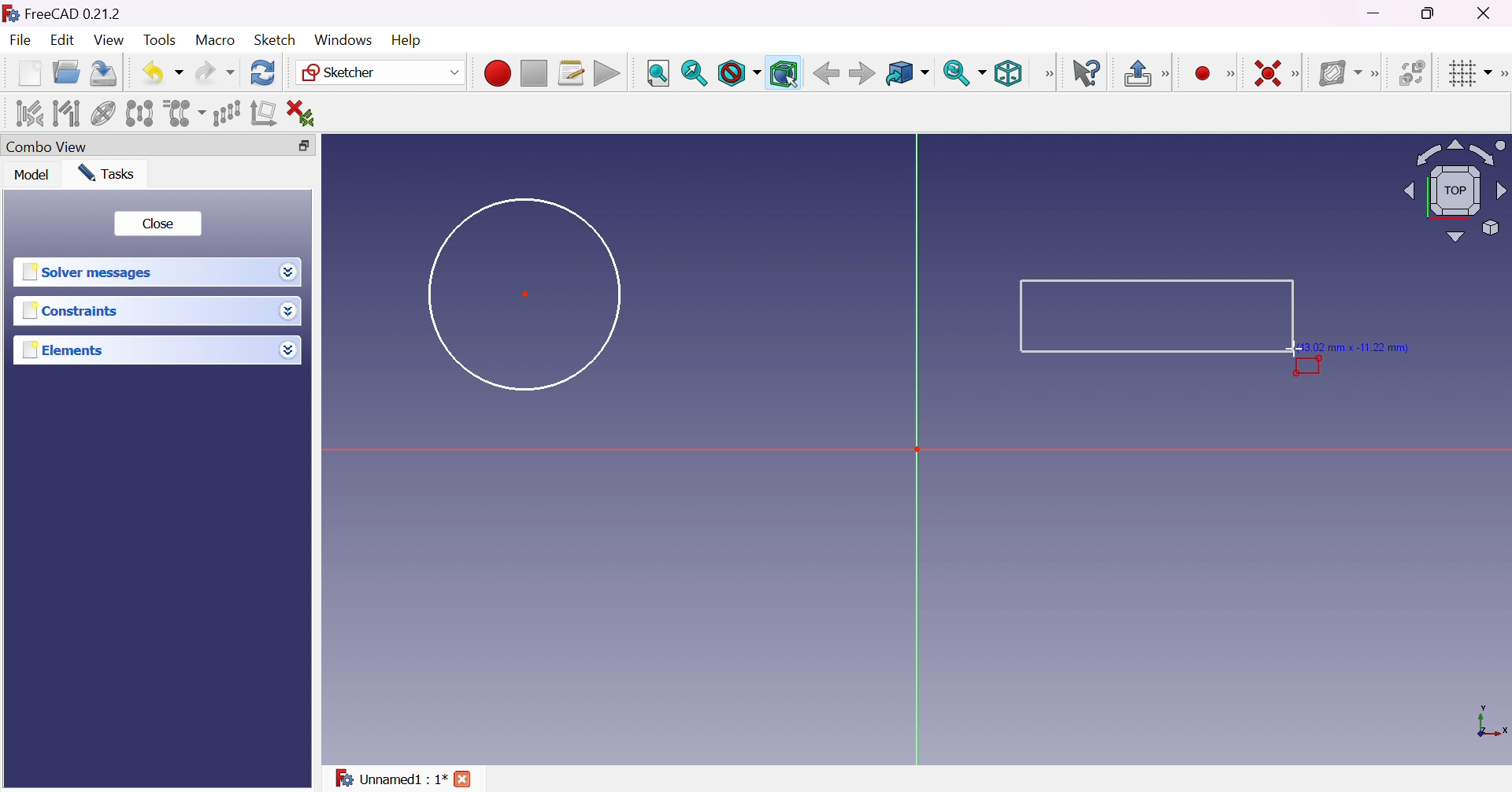 This screenshot has width=1512, height=792. Describe the element at coordinates (306, 113) in the screenshot. I see `Delete all constraints` at that location.